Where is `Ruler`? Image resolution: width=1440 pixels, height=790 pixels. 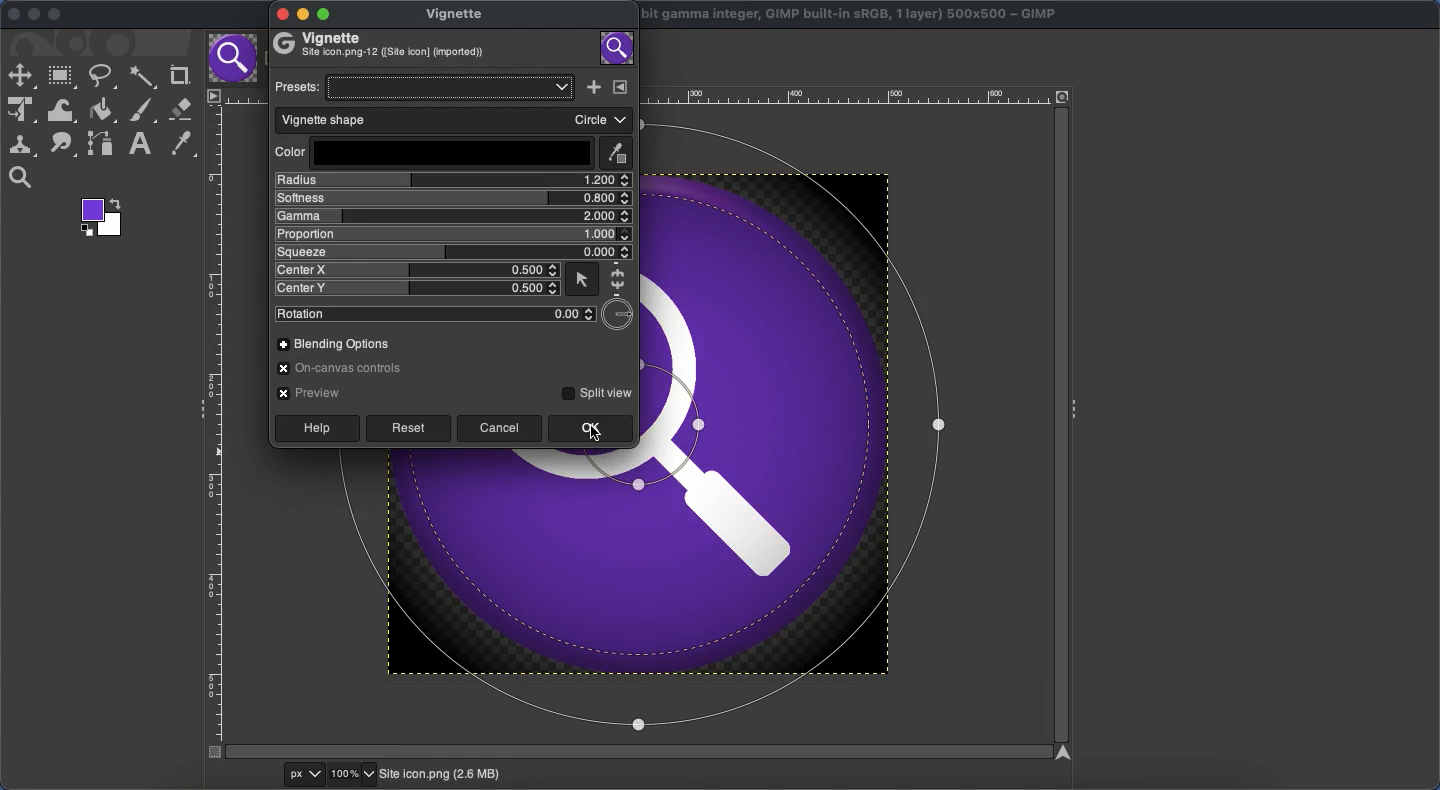
Ruler is located at coordinates (215, 432).